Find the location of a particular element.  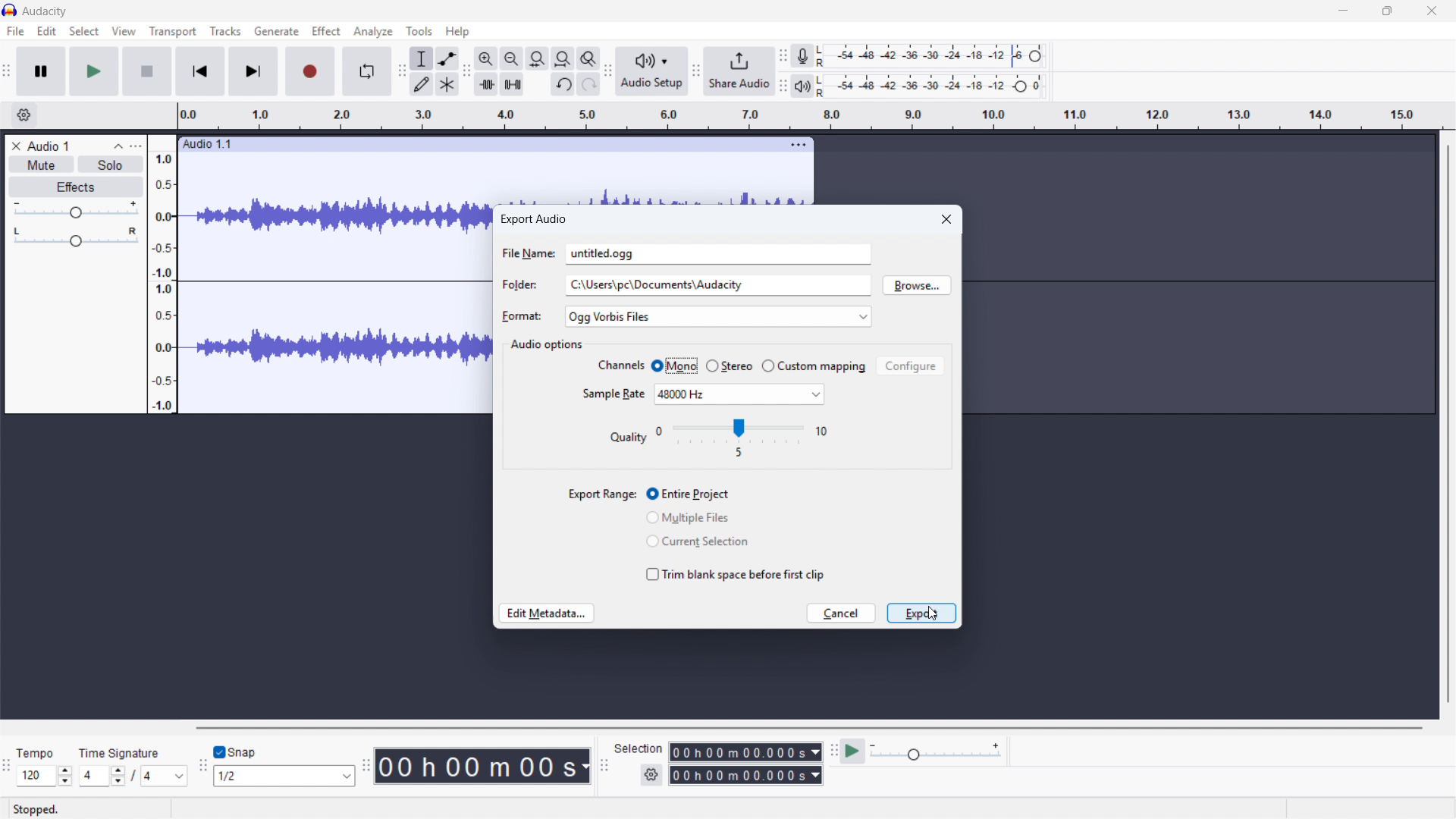

Fit project to width is located at coordinates (563, 58).